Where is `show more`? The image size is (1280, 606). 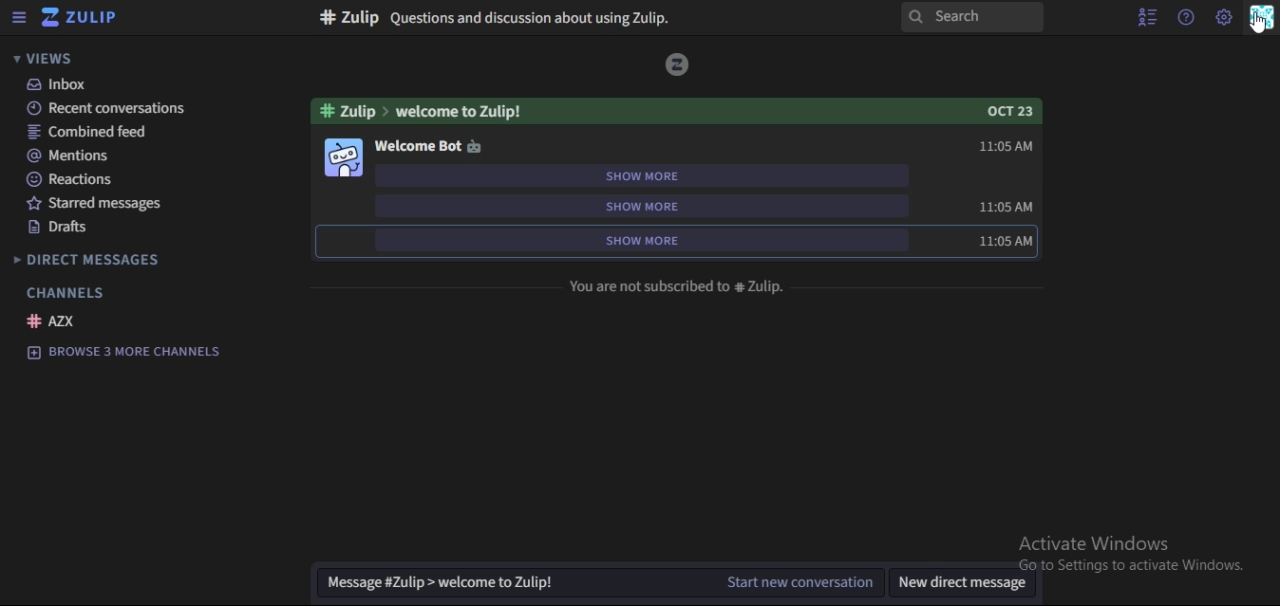
show more is located at coordinates (648, 239).